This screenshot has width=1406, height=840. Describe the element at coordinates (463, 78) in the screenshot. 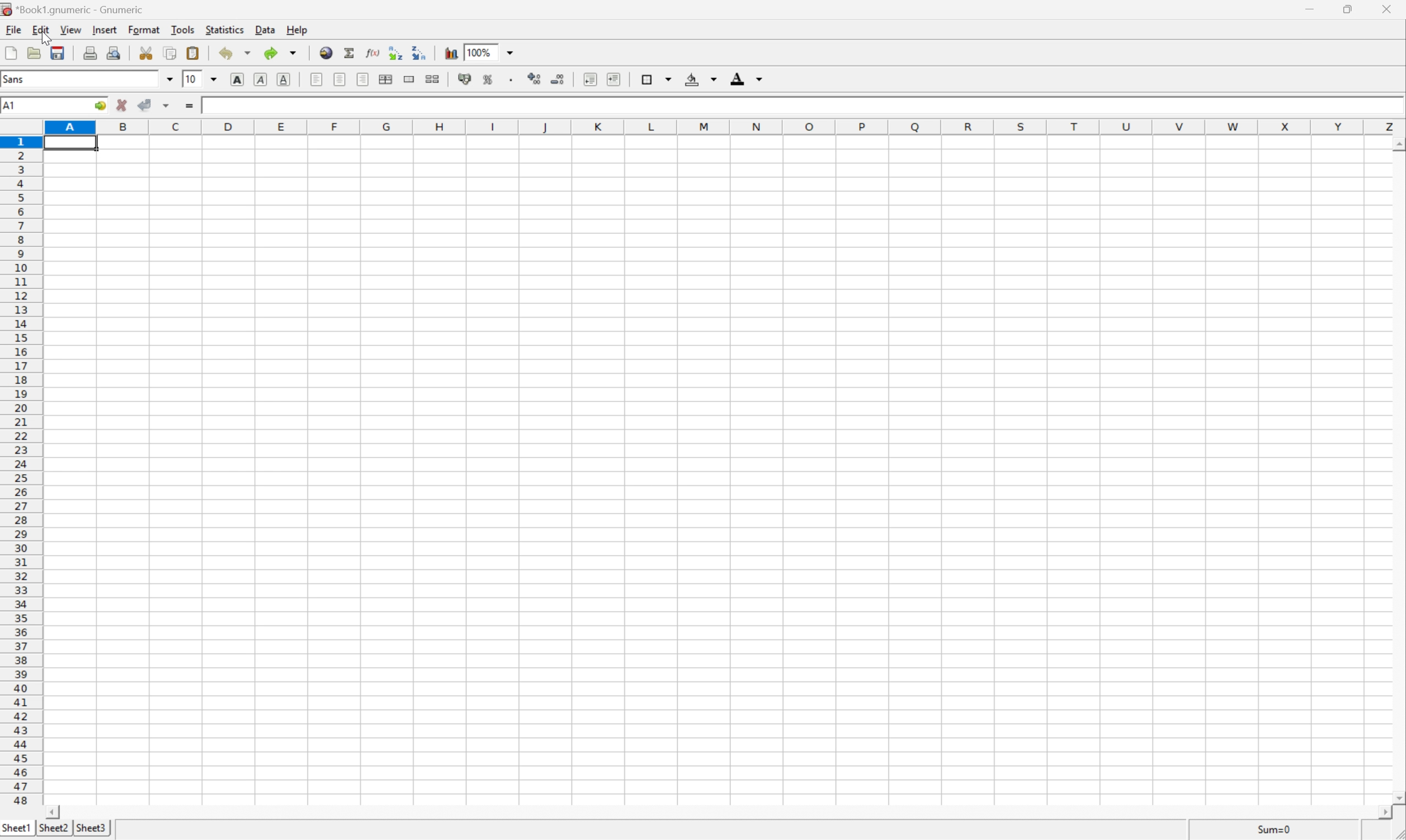

I see `format selection as accounting` at that location.